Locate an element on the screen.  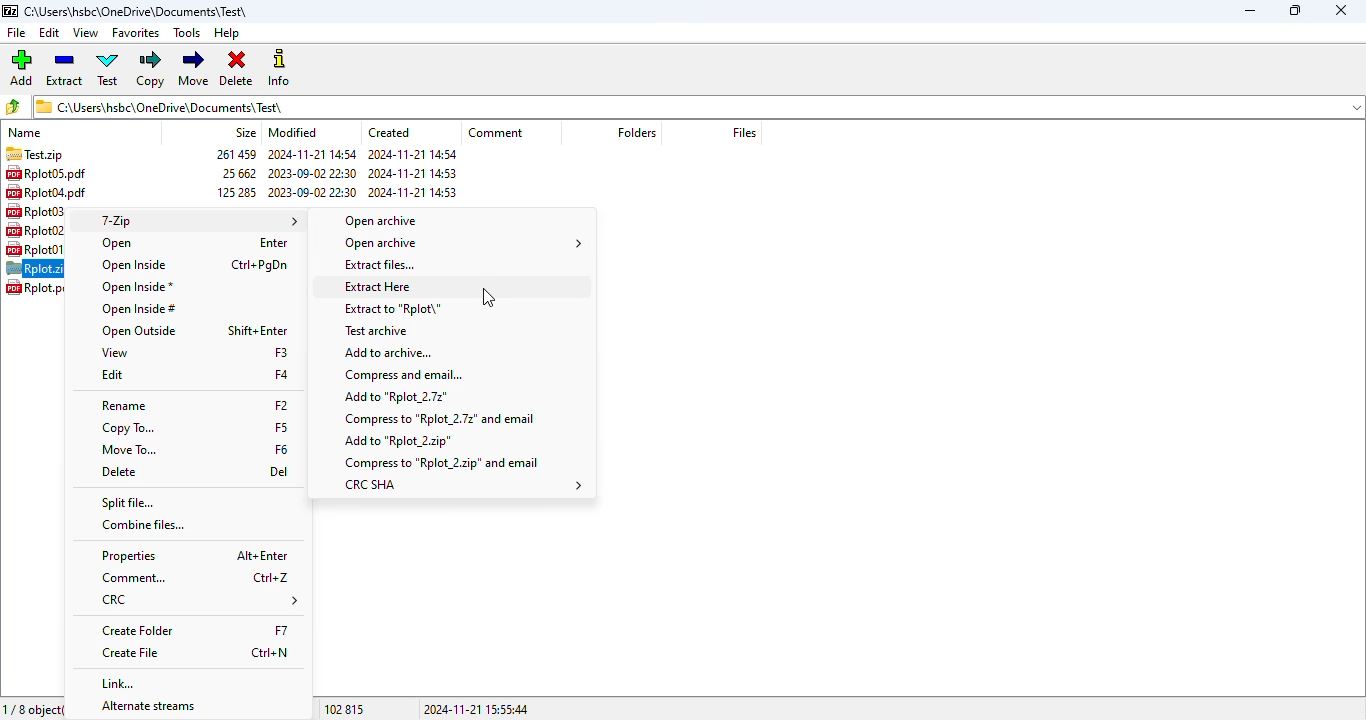
file is located at coordinates (18, 33).